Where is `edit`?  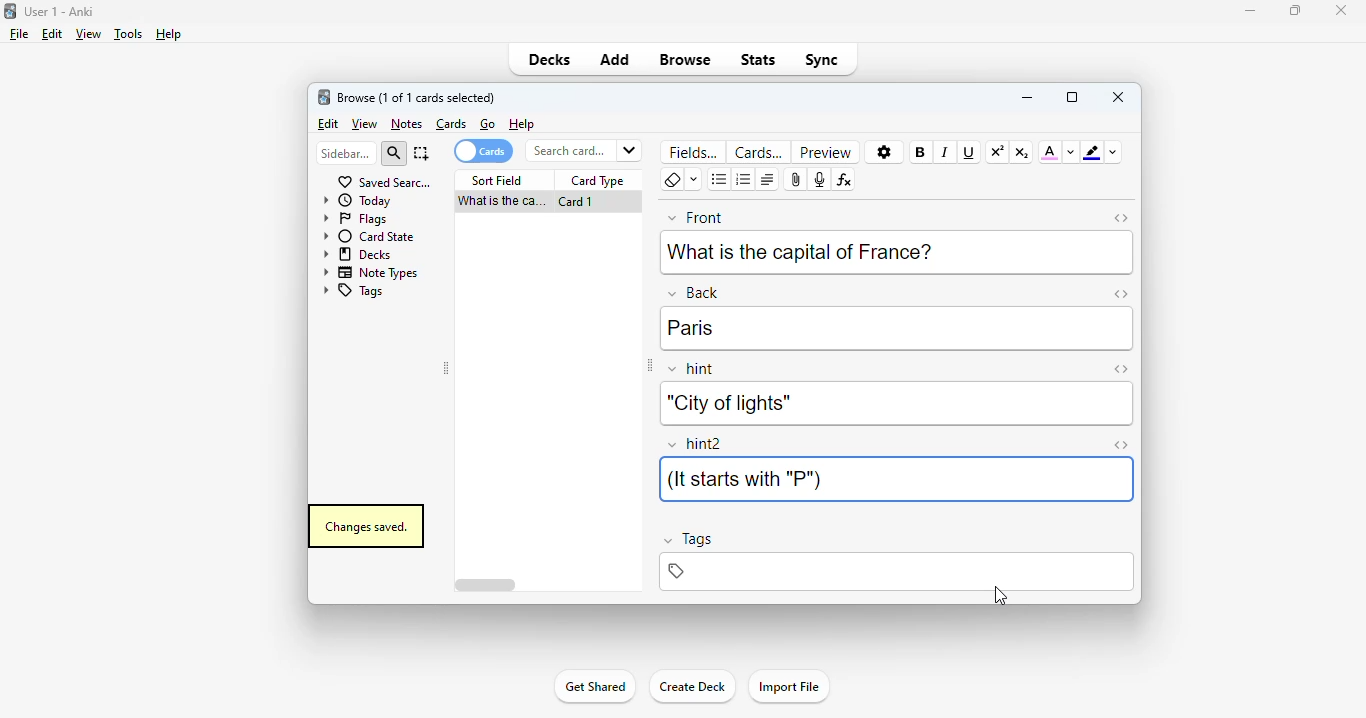
edit is located at coordinates (52, 34).